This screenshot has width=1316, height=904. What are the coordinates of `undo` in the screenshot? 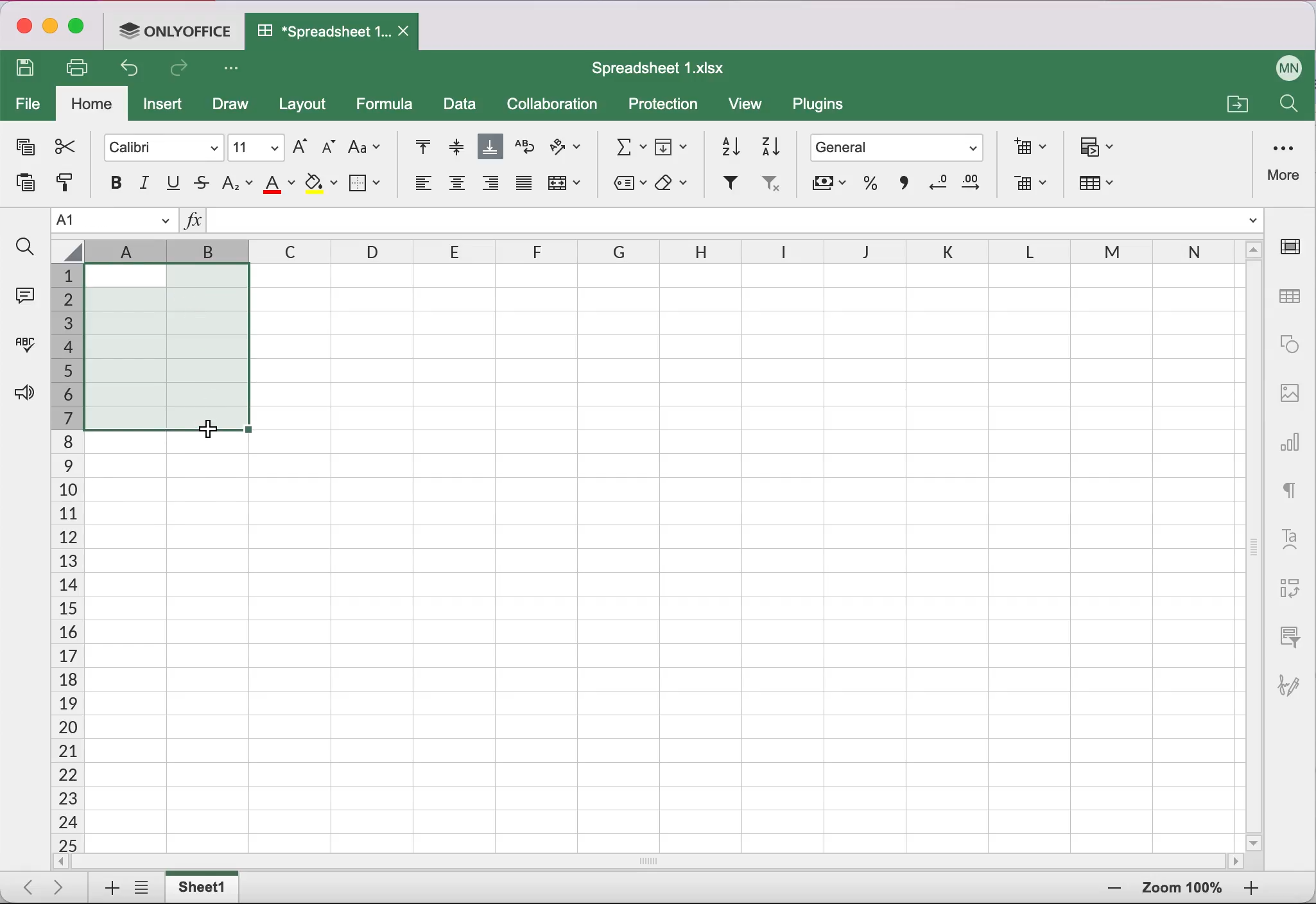 It's located at (134, 71).